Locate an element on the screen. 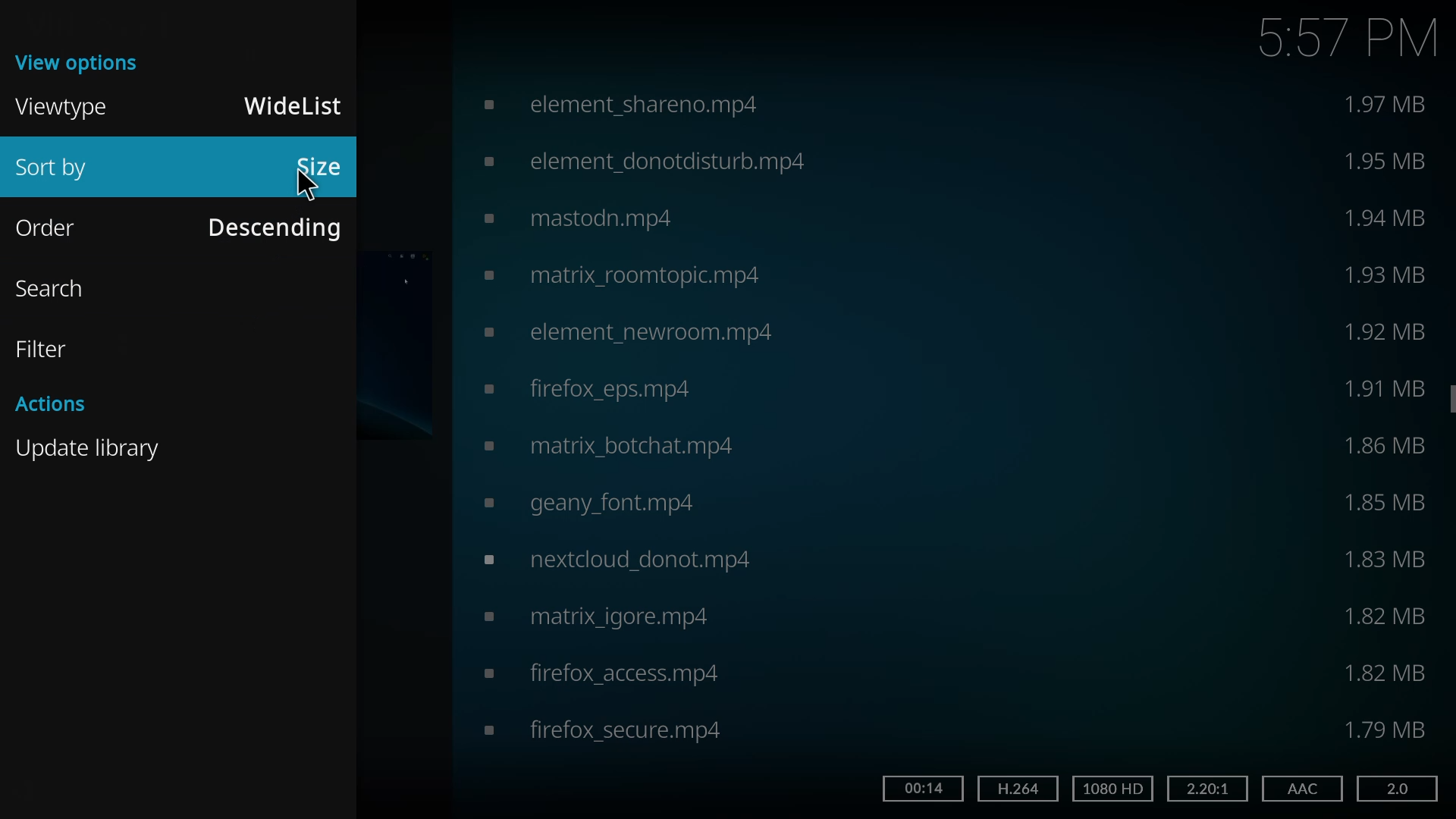  size is located at coordinates (1386, 557).